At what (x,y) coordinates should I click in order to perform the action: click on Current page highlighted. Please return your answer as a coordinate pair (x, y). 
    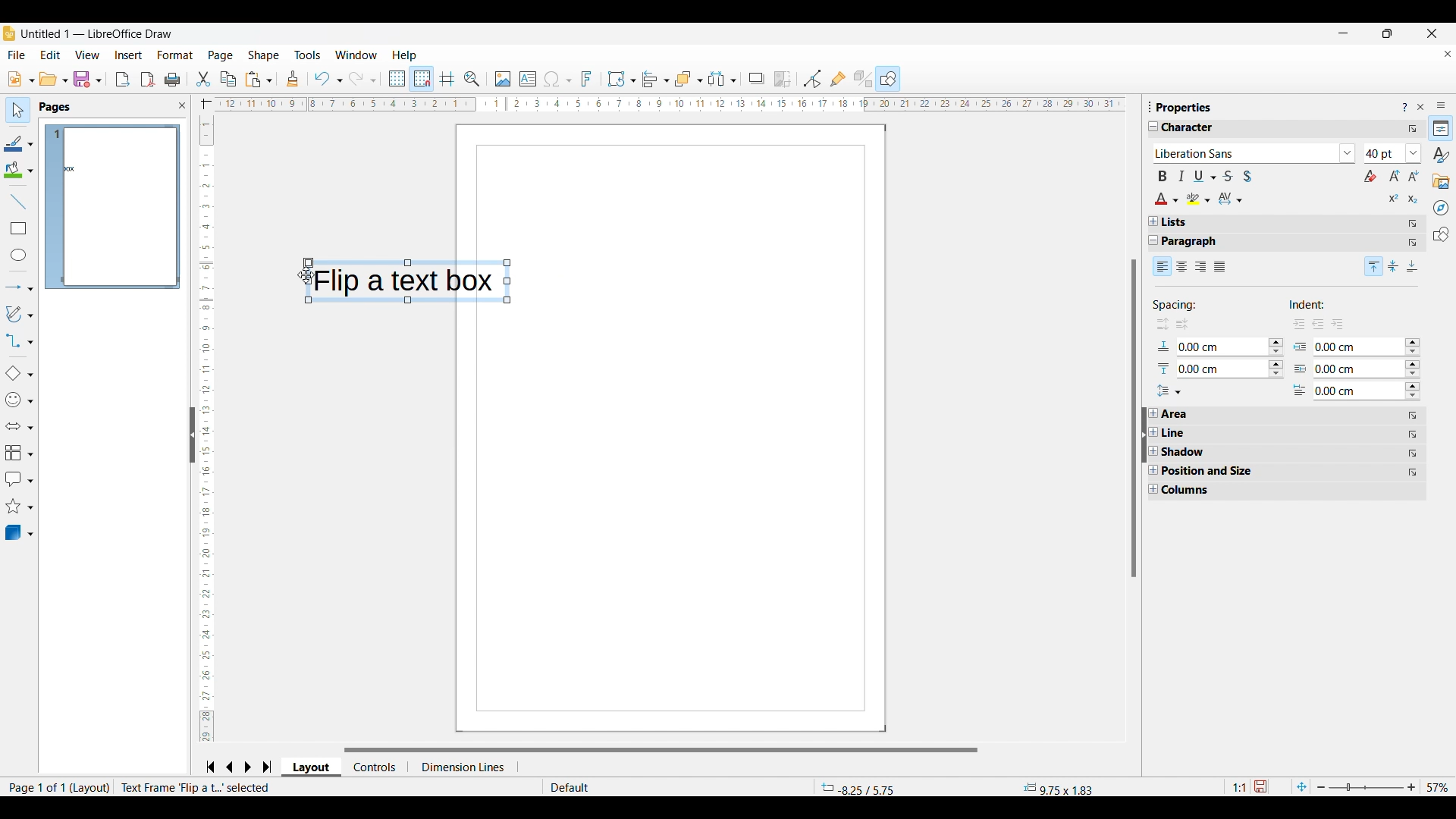
    Looking at the image, I should click on (54, 207).